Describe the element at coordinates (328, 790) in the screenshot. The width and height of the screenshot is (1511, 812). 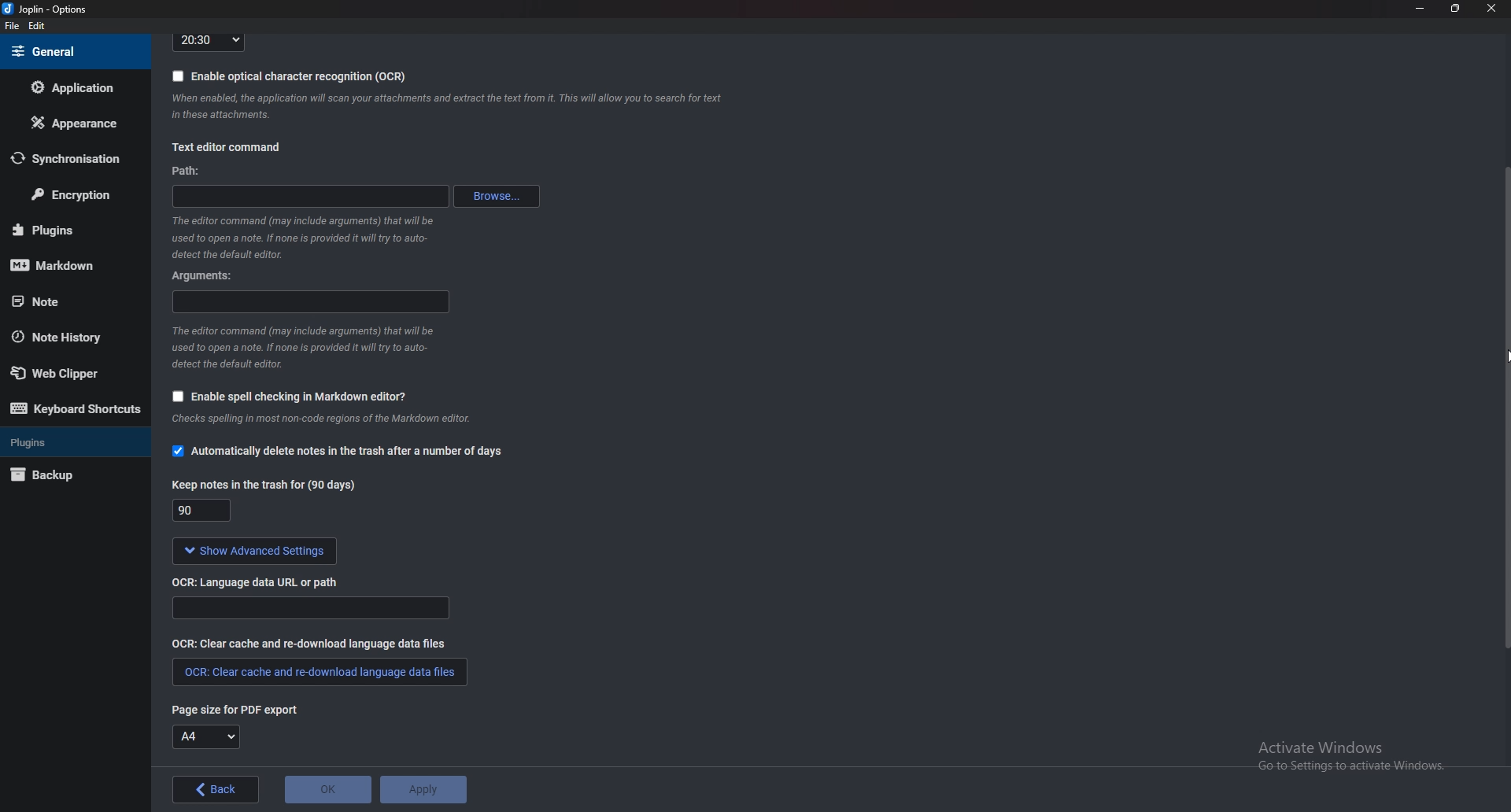
I see `ok` at that location.